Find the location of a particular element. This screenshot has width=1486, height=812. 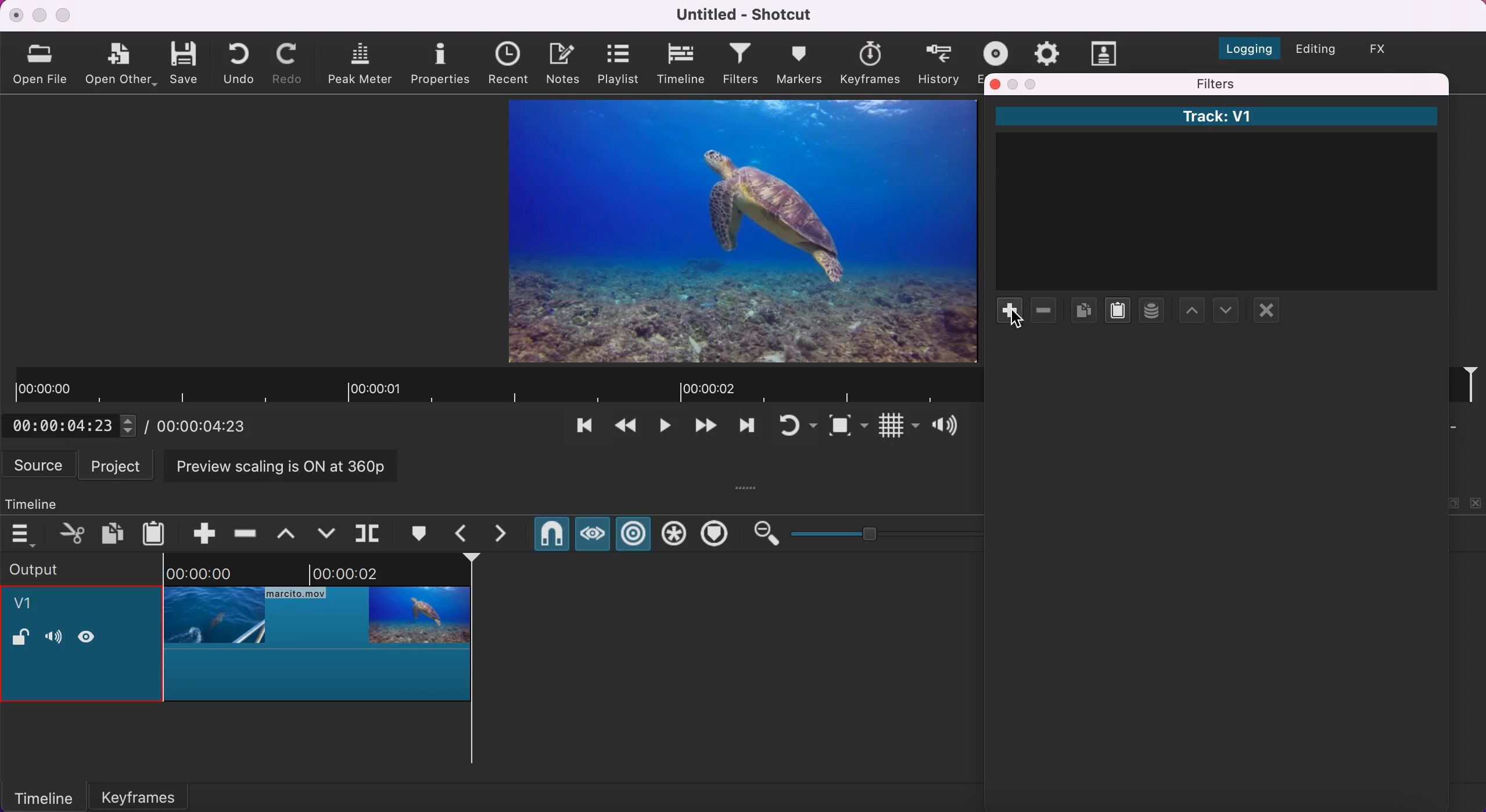

deselect filter is located at coordinates (1270, 311).